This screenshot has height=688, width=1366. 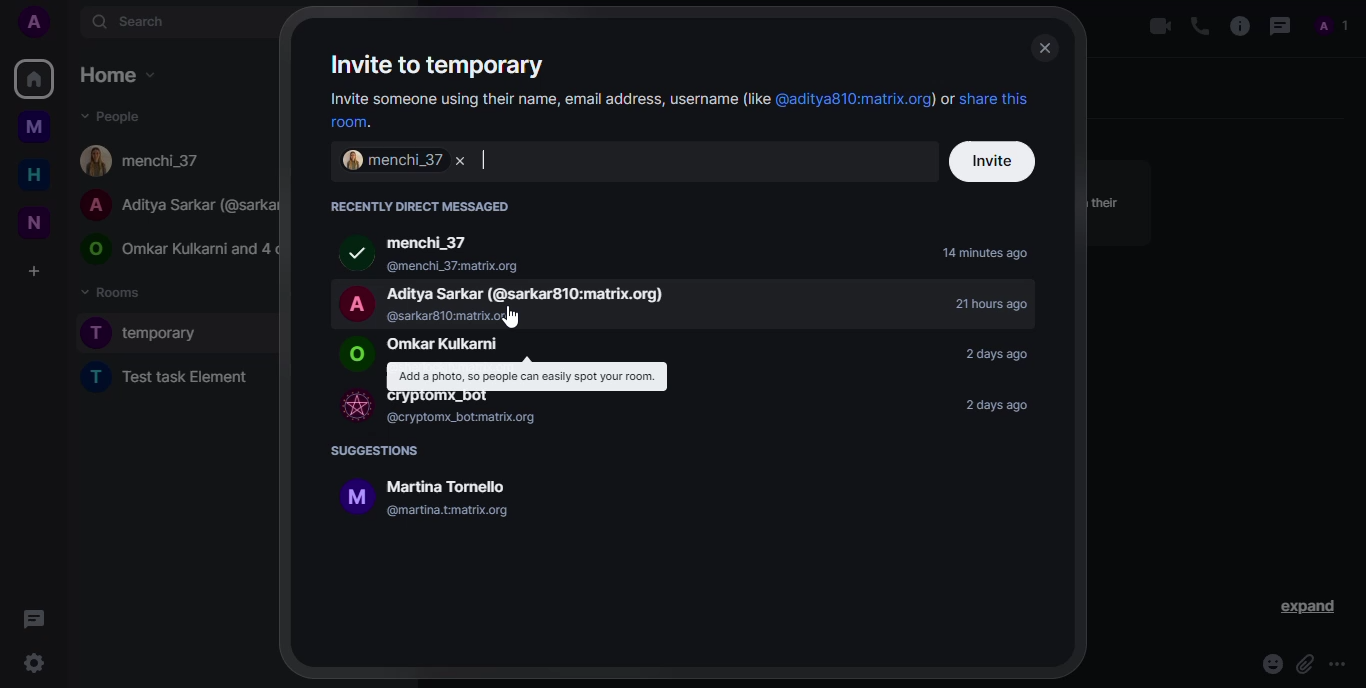 What do you see at coordinates (350, 498) in the screenshot?
I see `Profile picture` at bounding box center [350, 498].